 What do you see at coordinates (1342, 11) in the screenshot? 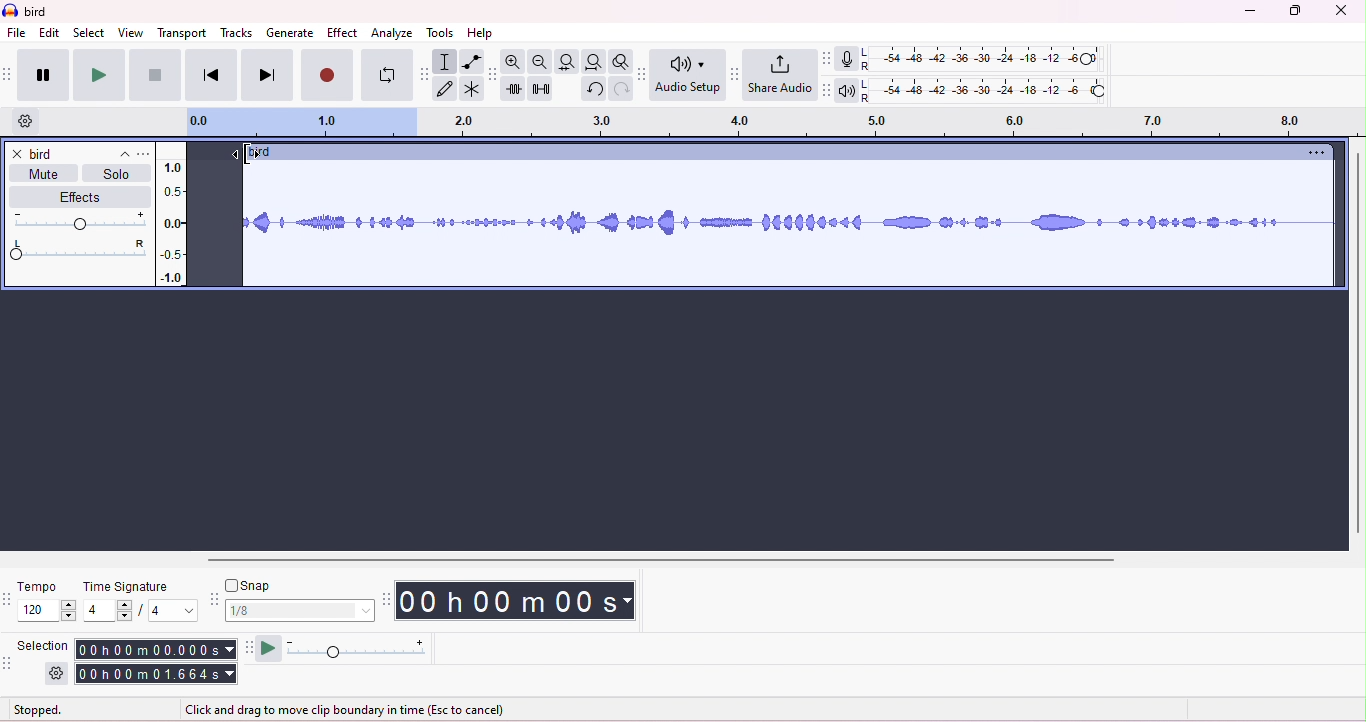
I see `close` at bounding box center [1342, 11].